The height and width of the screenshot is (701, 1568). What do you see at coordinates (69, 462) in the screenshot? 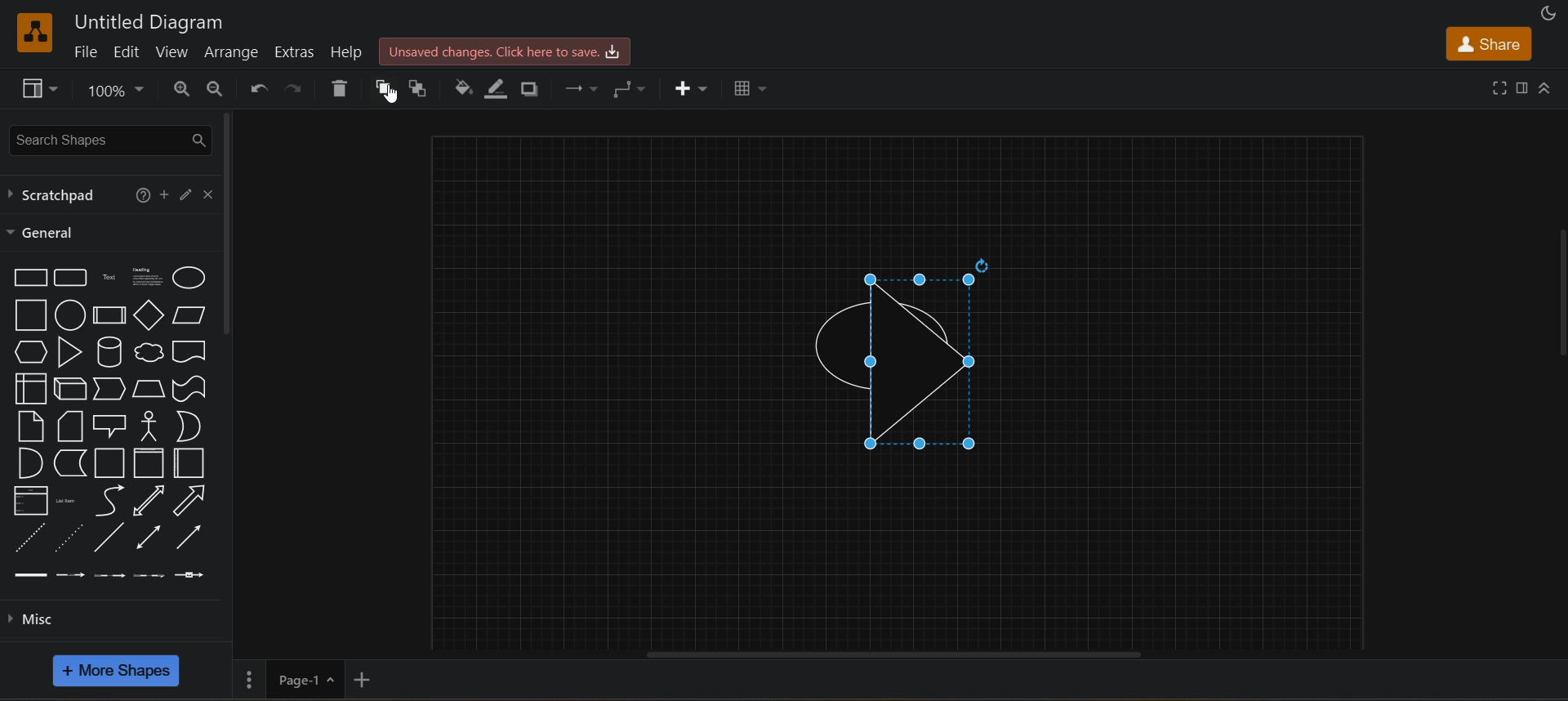
I see `data storage` at bounding box center [69, 462].